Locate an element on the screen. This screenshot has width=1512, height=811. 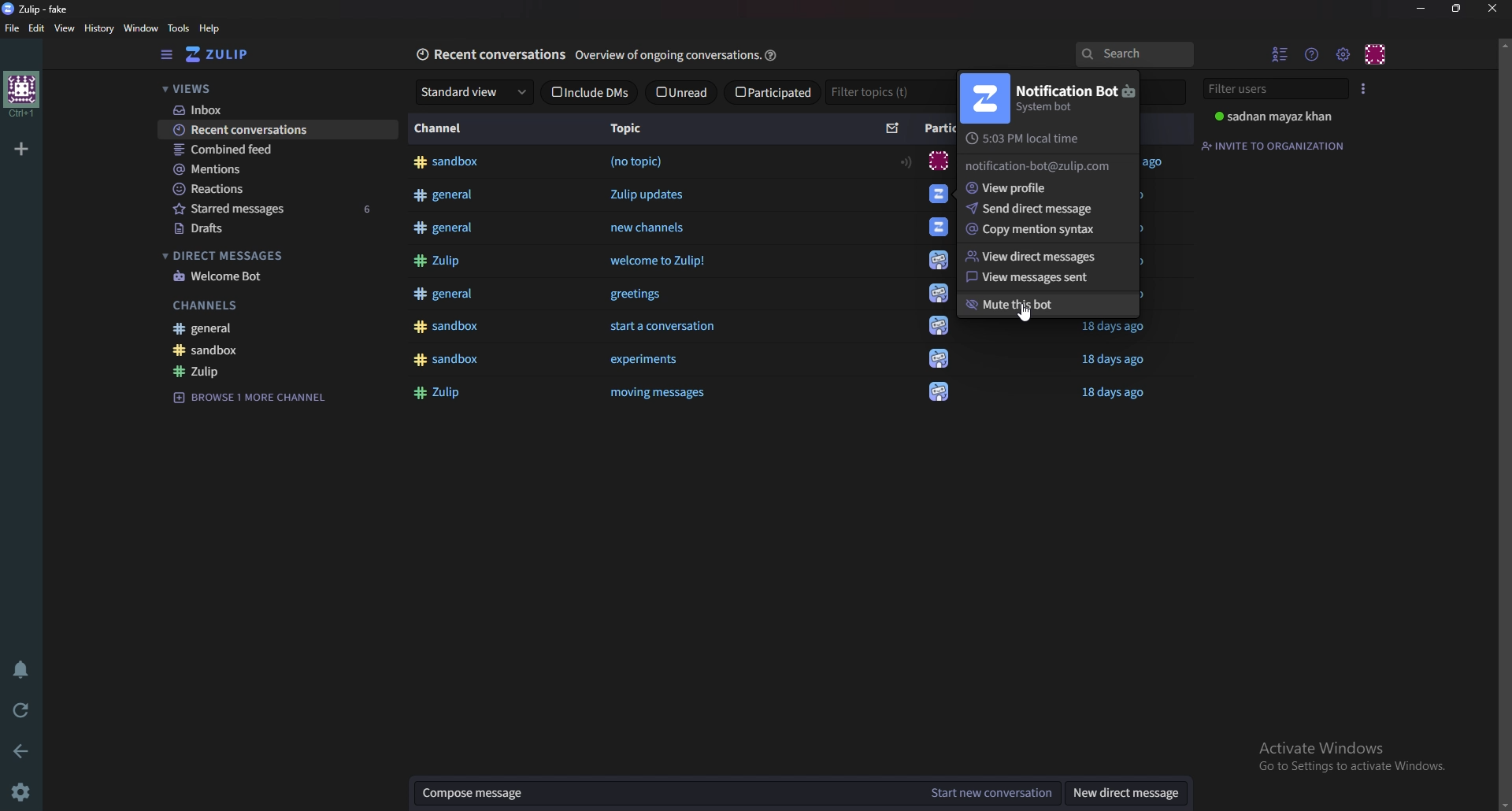
Filter topics is located at coordinates (890, 91).